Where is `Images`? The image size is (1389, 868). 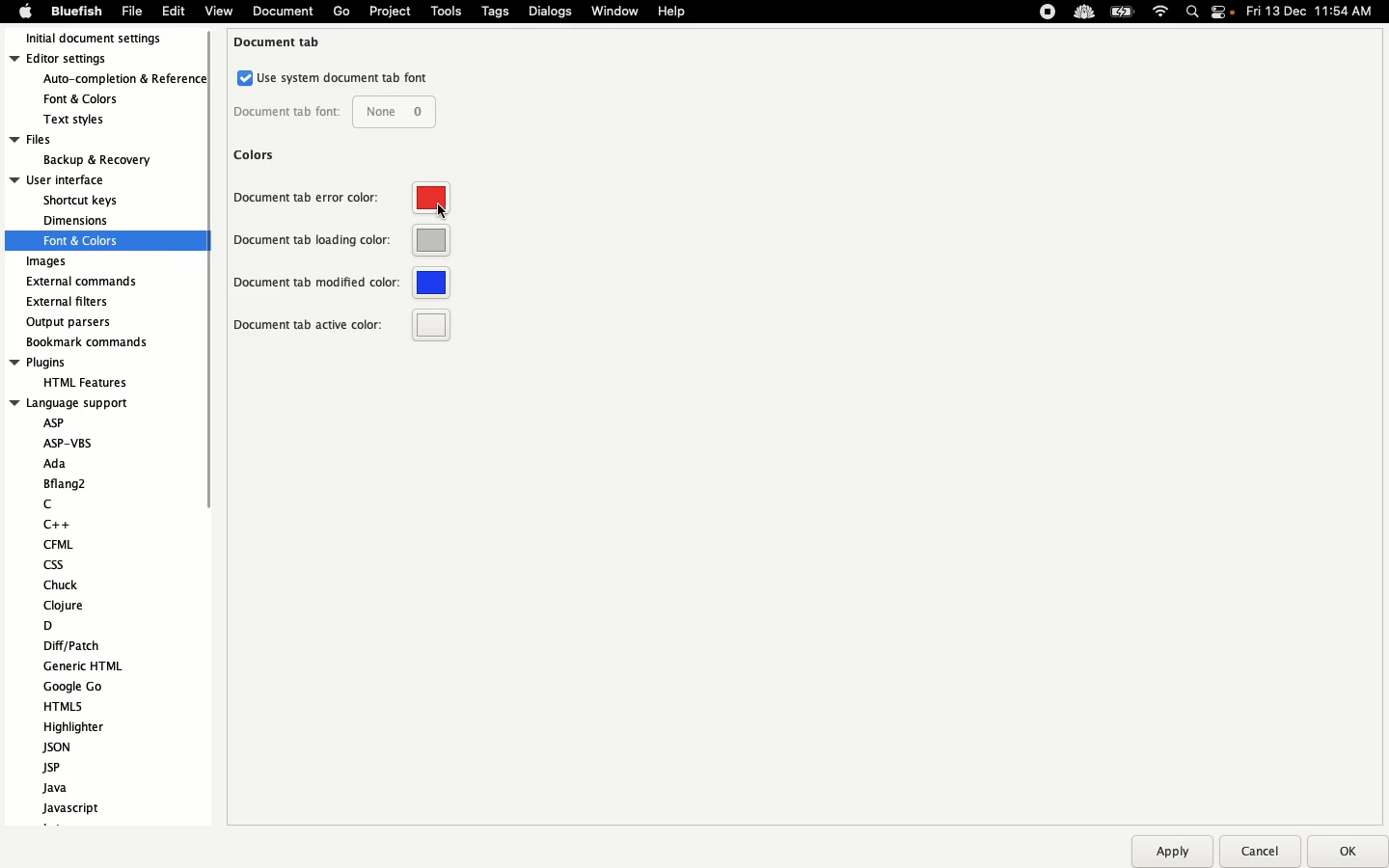
Images is located at coordinates (48, 262).